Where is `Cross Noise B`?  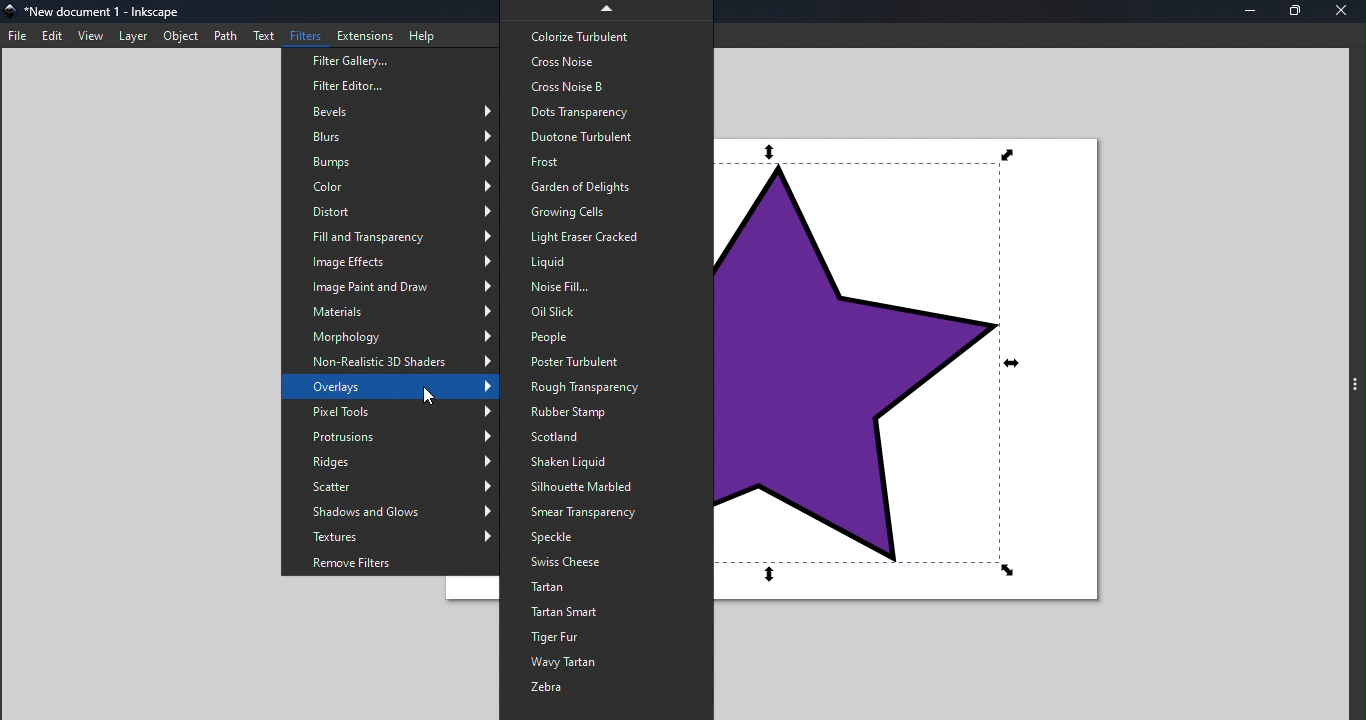
Cross Noise B is located at coordinates (606, 87).